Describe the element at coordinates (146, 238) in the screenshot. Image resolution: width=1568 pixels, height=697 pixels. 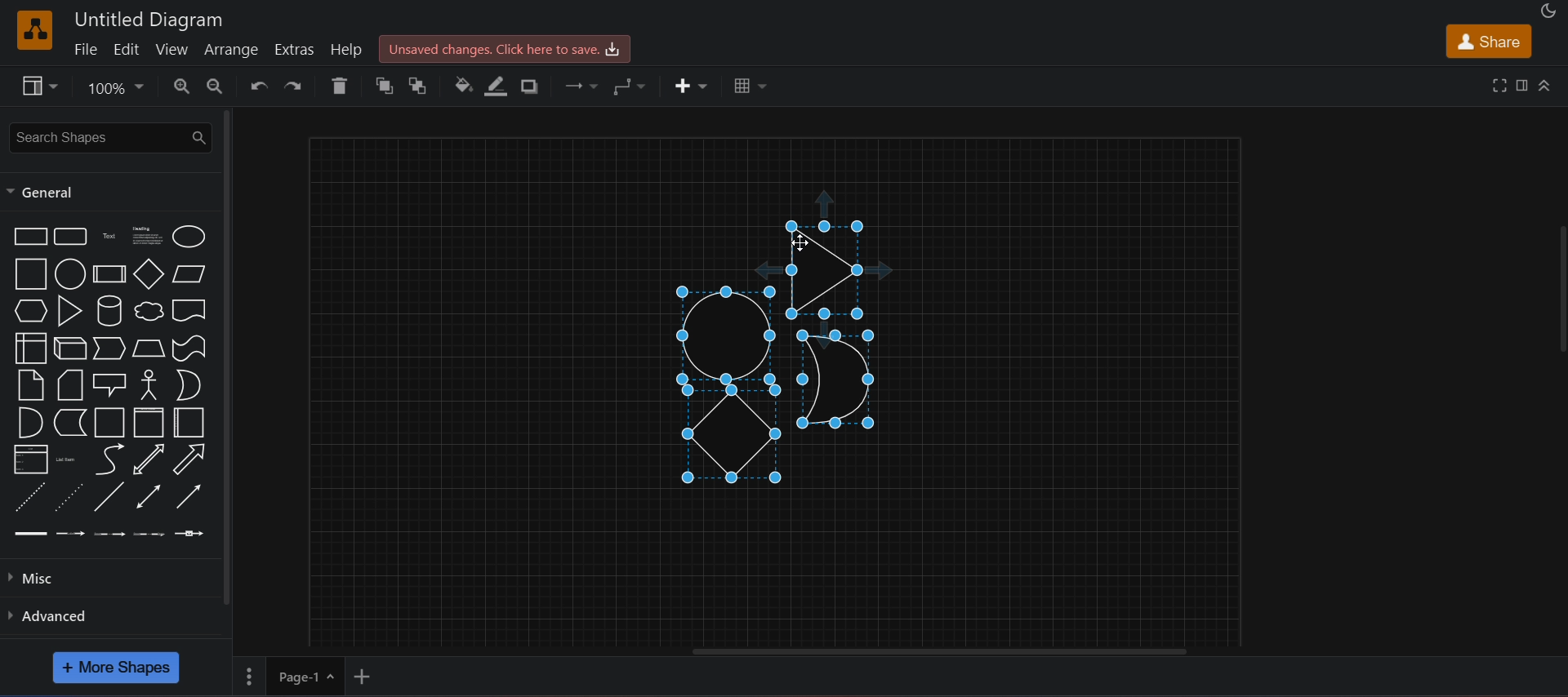
I see `heading` at that location.